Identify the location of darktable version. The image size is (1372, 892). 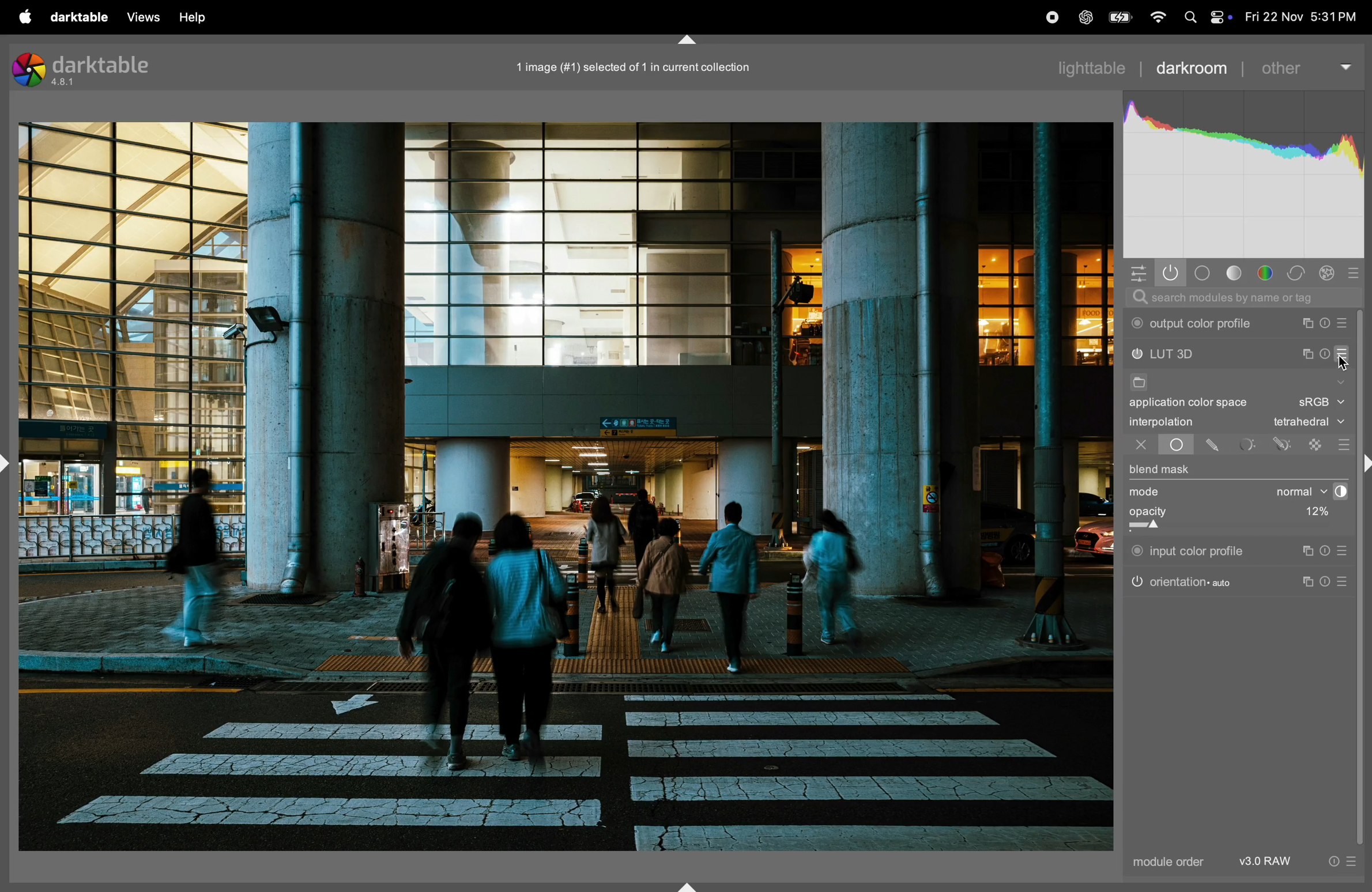
(89, 68).